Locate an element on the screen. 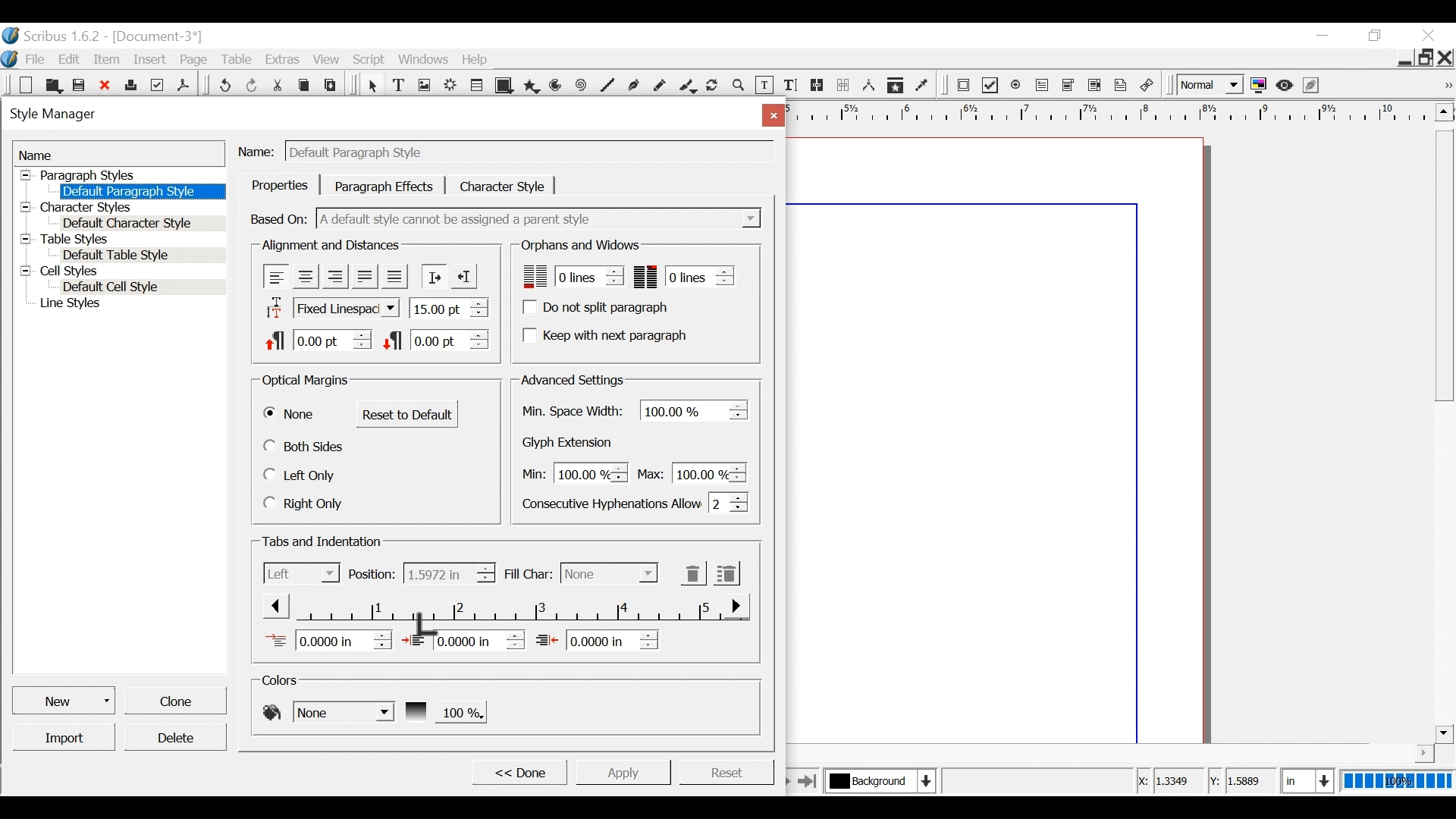 The width and height of the screenshot is (1456, 819). Line is located at coordinates (606, 86).